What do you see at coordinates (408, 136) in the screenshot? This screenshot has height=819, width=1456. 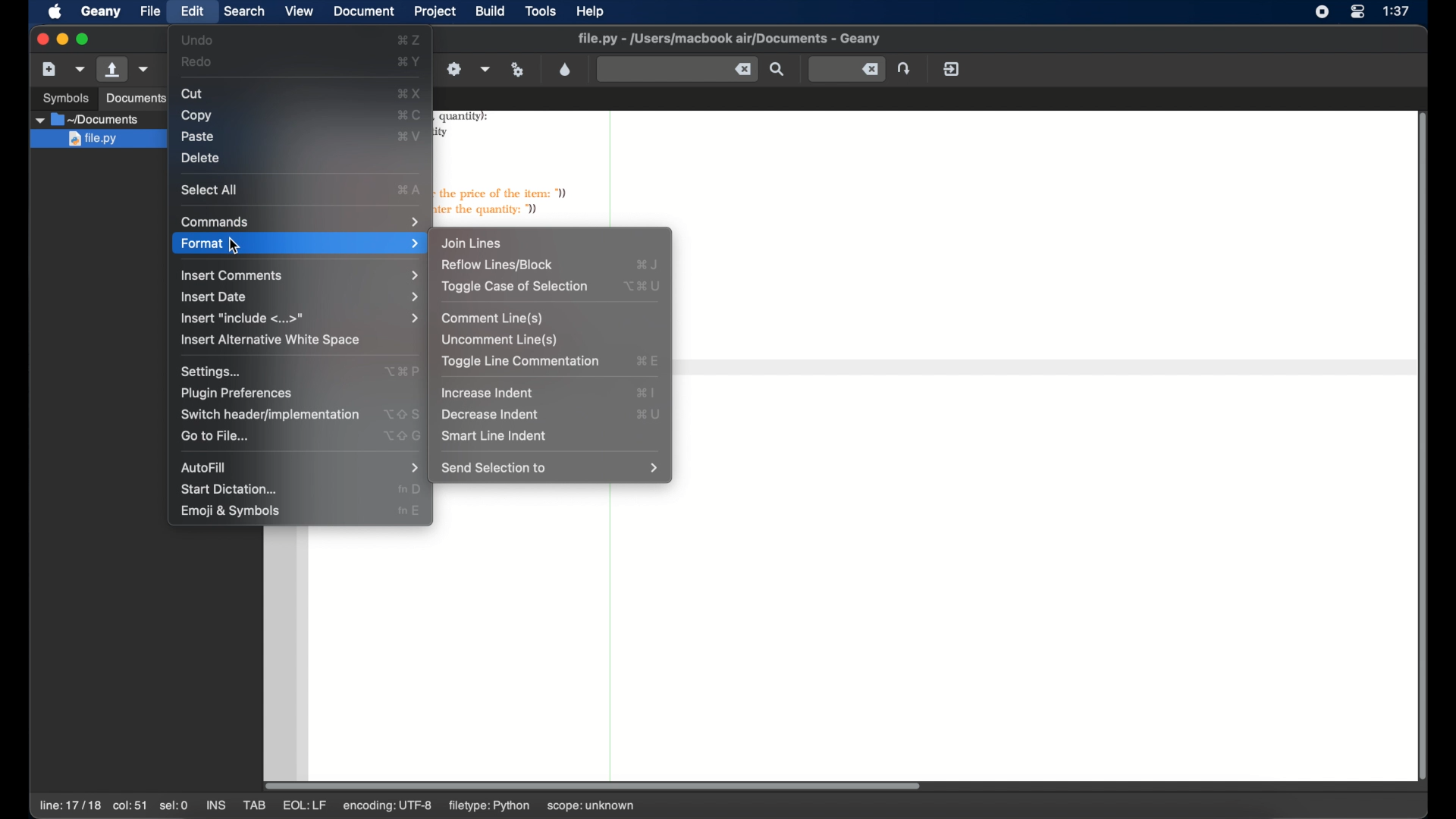 I see `paste shortcut` at bounding box center [408, 136].